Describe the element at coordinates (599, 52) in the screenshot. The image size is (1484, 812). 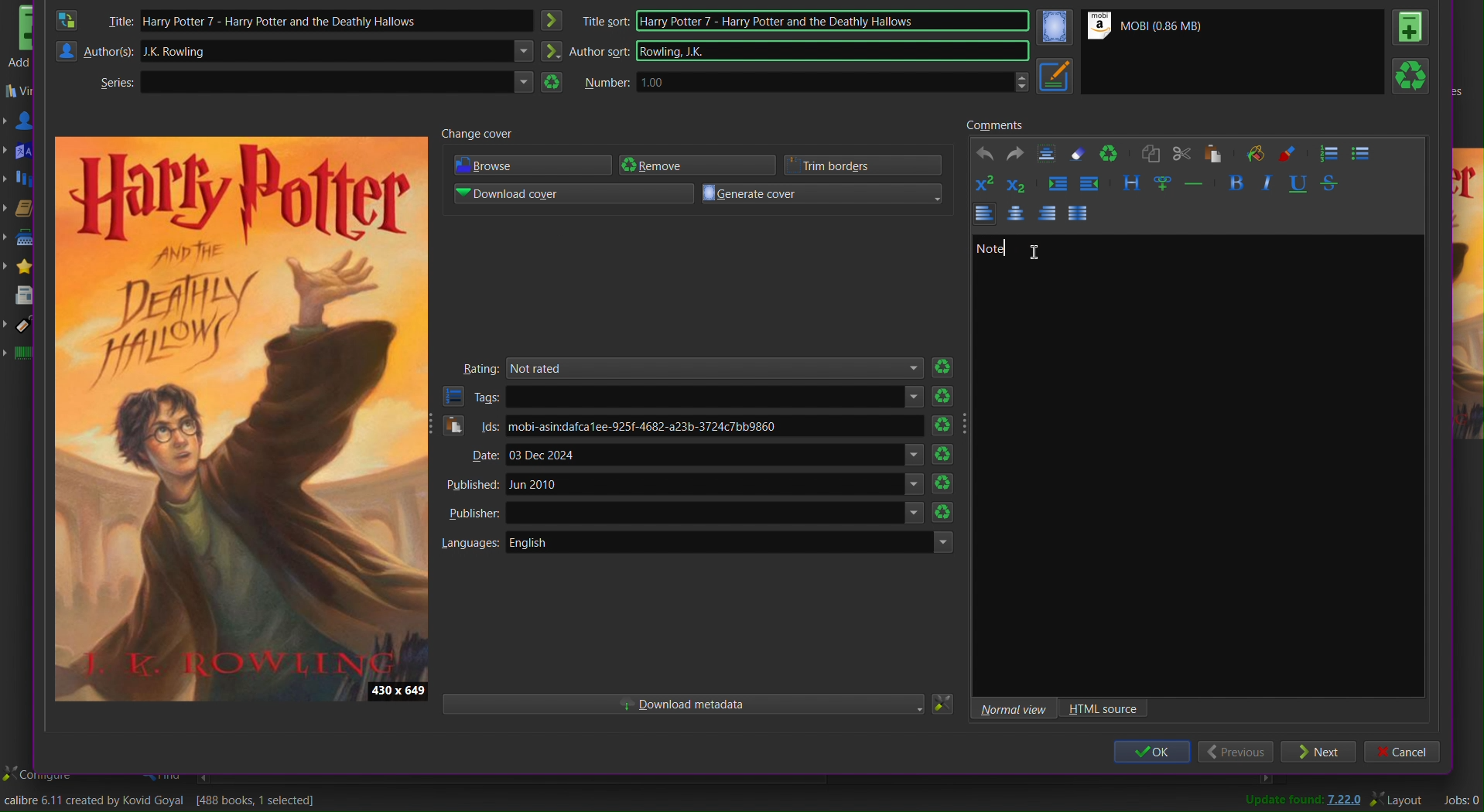
I see `Author sort` at that location.